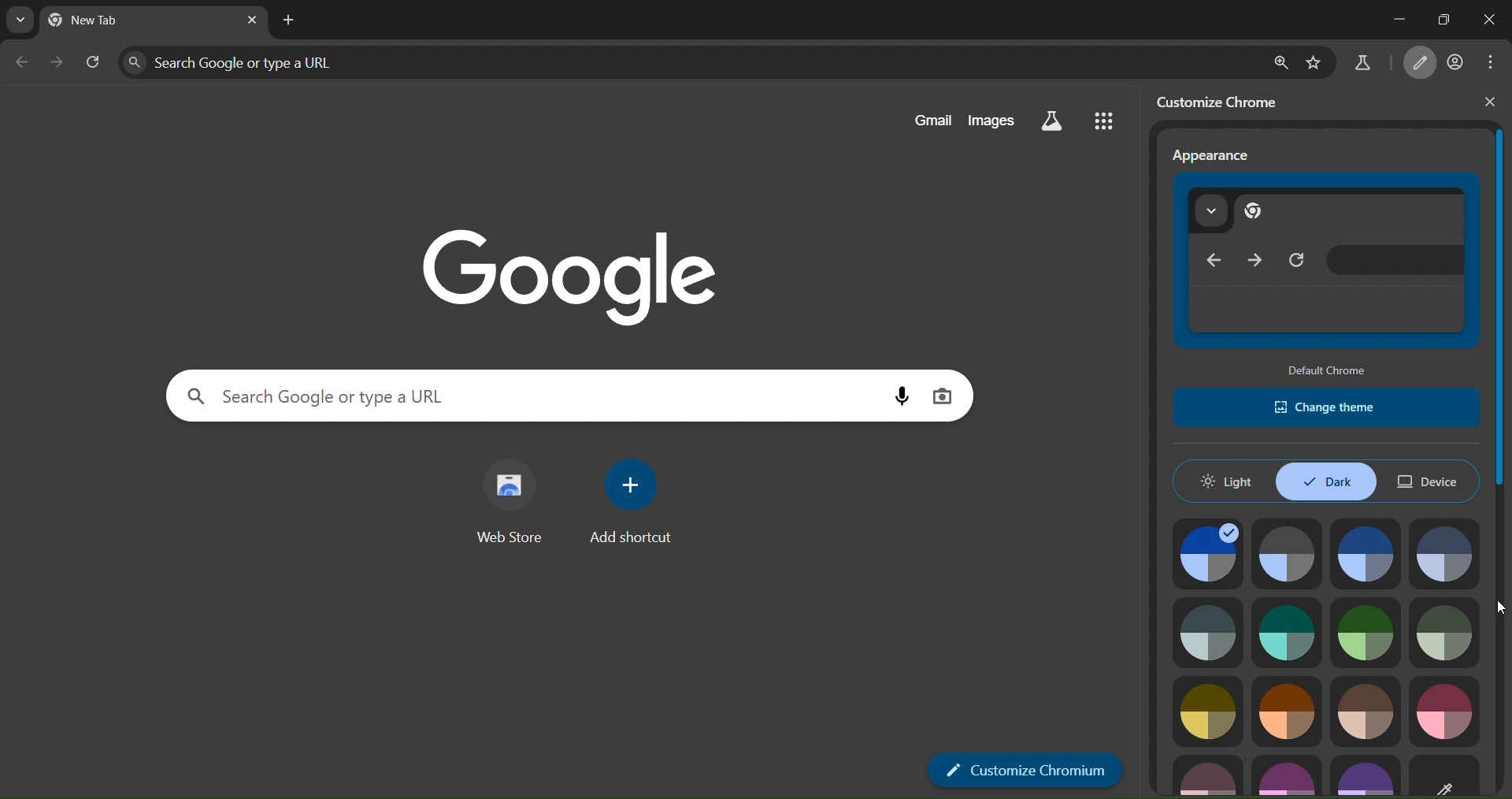  What do you see at coordinates (1213, 634) in the screenshot?
I see `theme` at bounding box center [1213, 634].